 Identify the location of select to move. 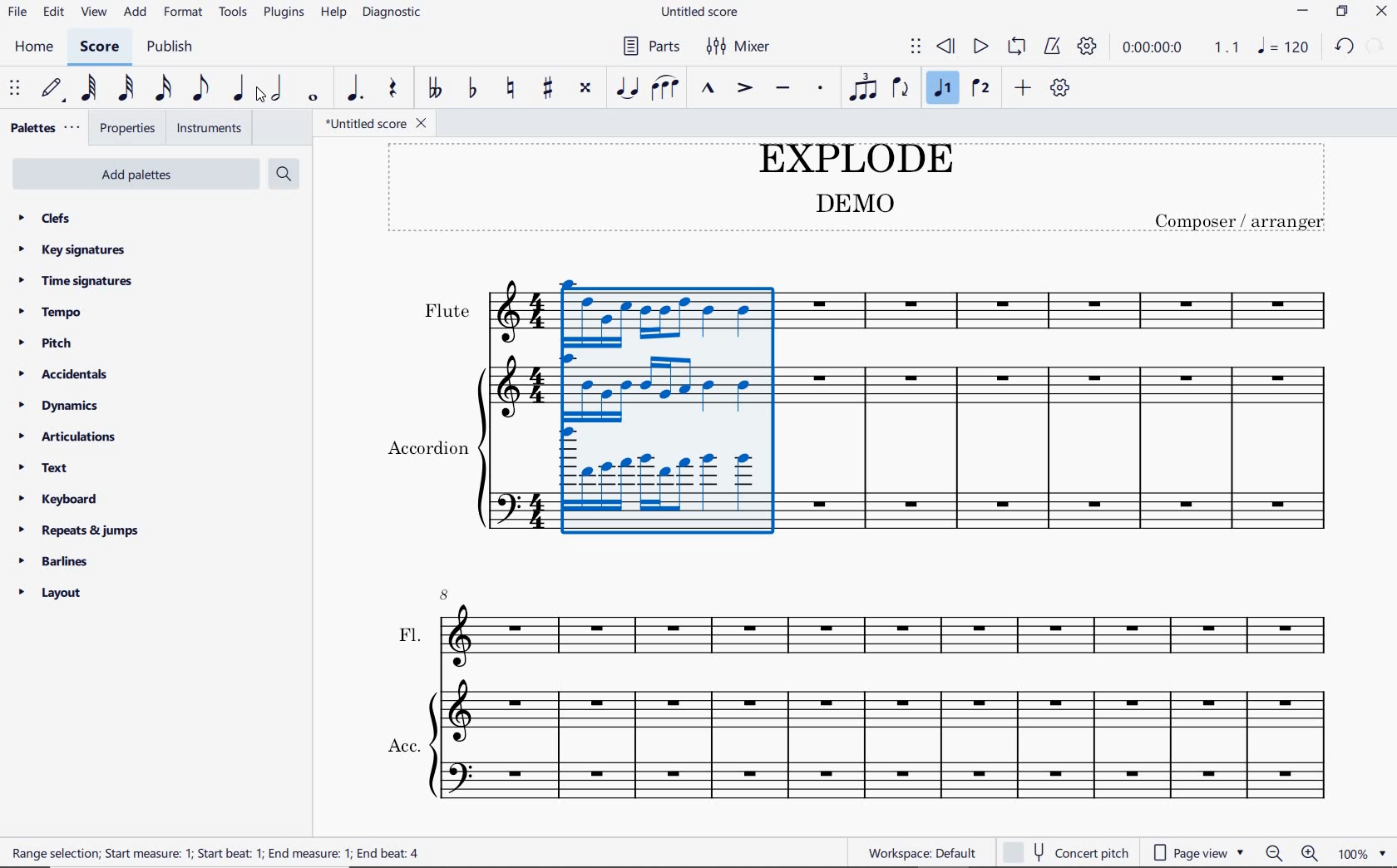
(915, 47).